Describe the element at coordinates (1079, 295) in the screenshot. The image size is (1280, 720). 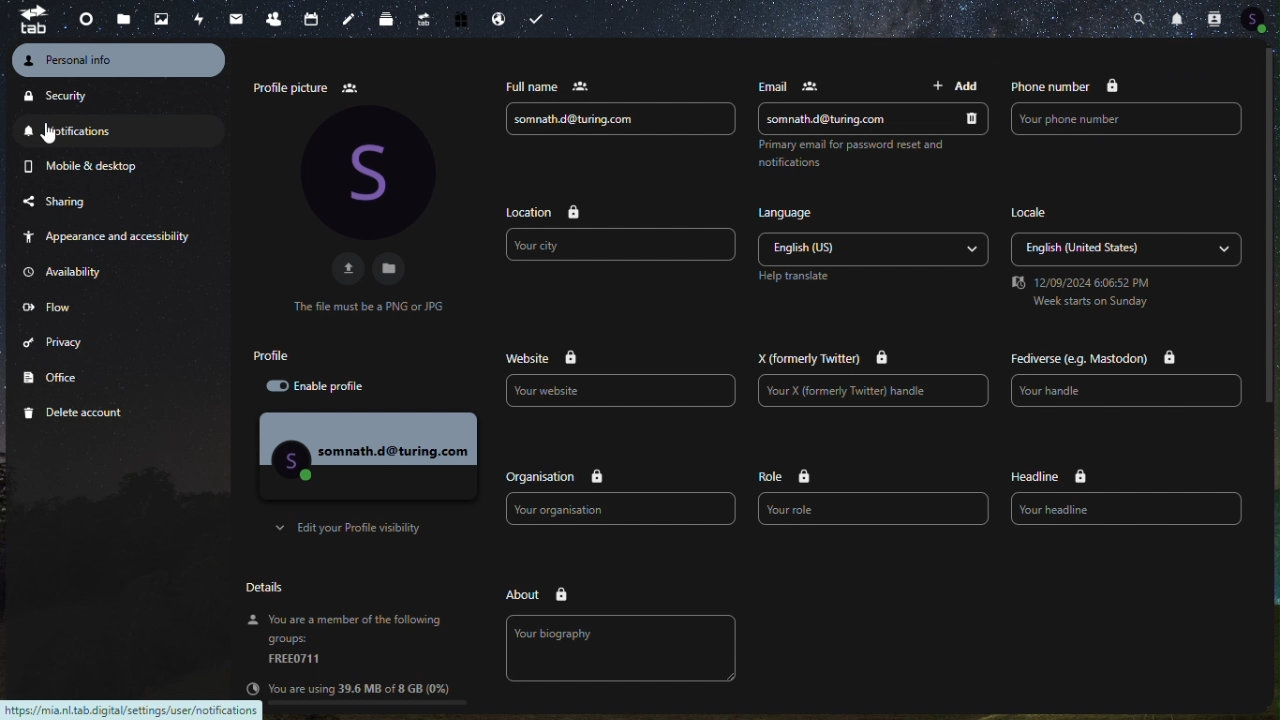
I see `Date and time` at that location.